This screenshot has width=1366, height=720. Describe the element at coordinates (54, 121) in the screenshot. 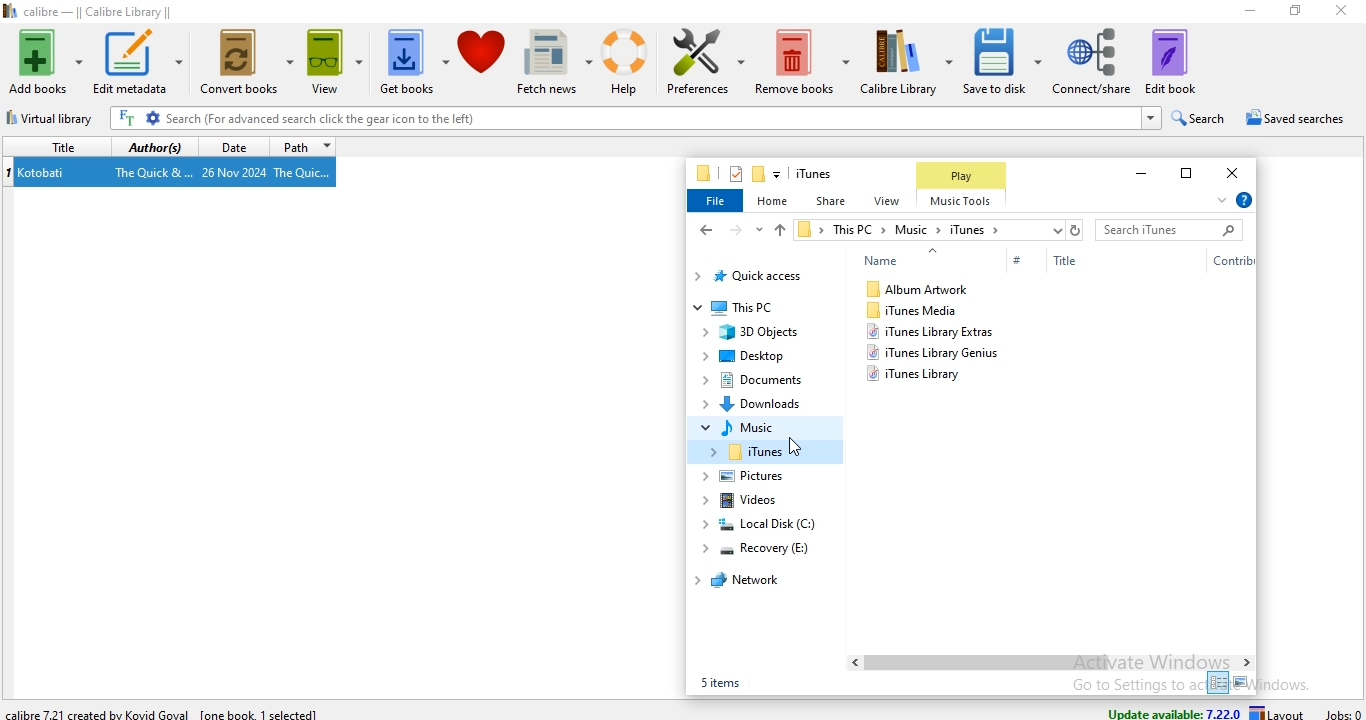

I see `virtual library` at that location.